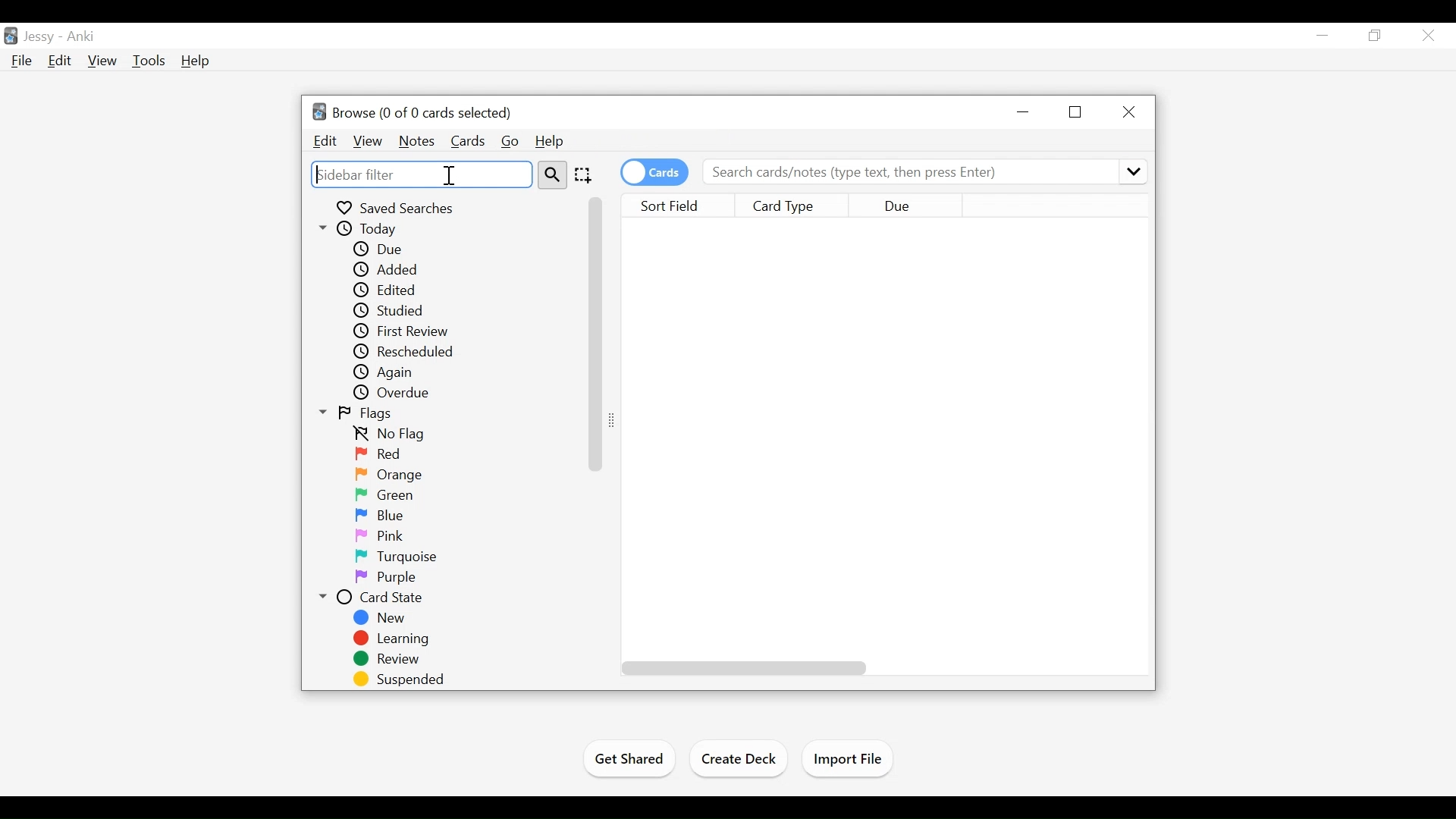 This screenshot has height=819, width=1456. What do you see at coordinates (381, 618) in the screenshot?
I see `New` at bounding box center [381, 618].